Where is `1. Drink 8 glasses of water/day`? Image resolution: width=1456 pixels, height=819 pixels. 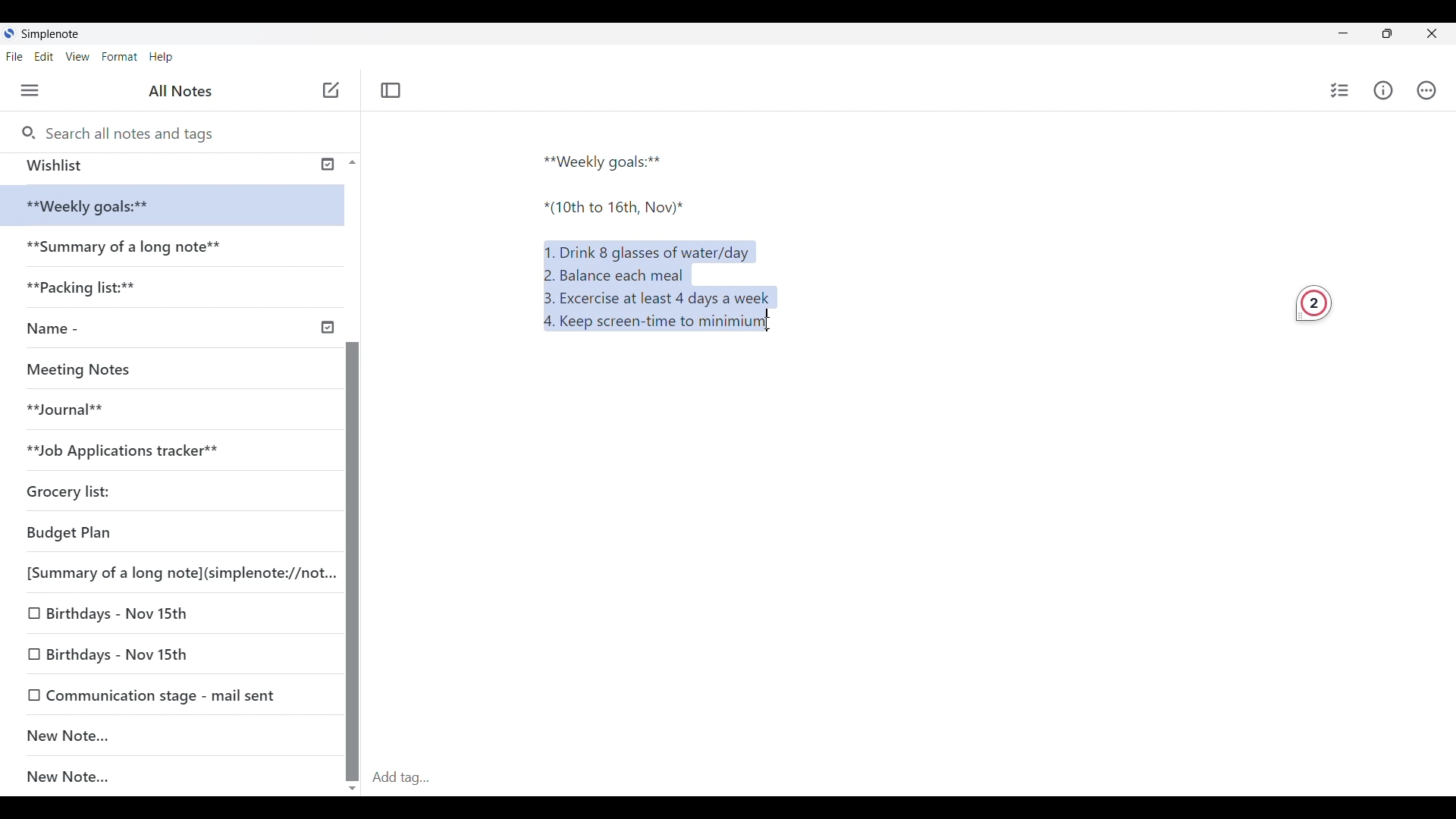 1. Drink 8 glasses of water/day is located at coordinates (651, 249).